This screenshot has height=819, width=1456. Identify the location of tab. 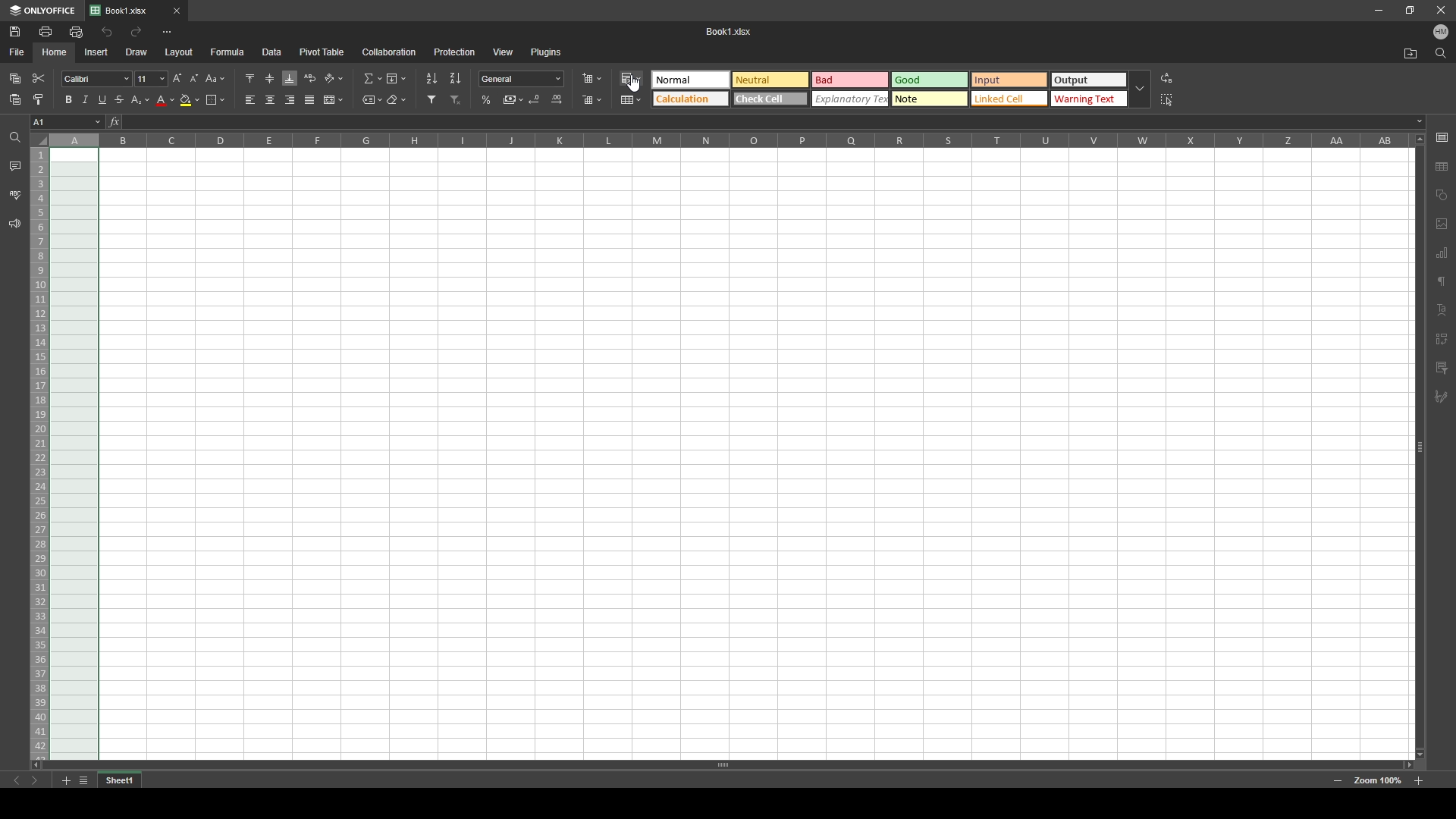
(120, 781).